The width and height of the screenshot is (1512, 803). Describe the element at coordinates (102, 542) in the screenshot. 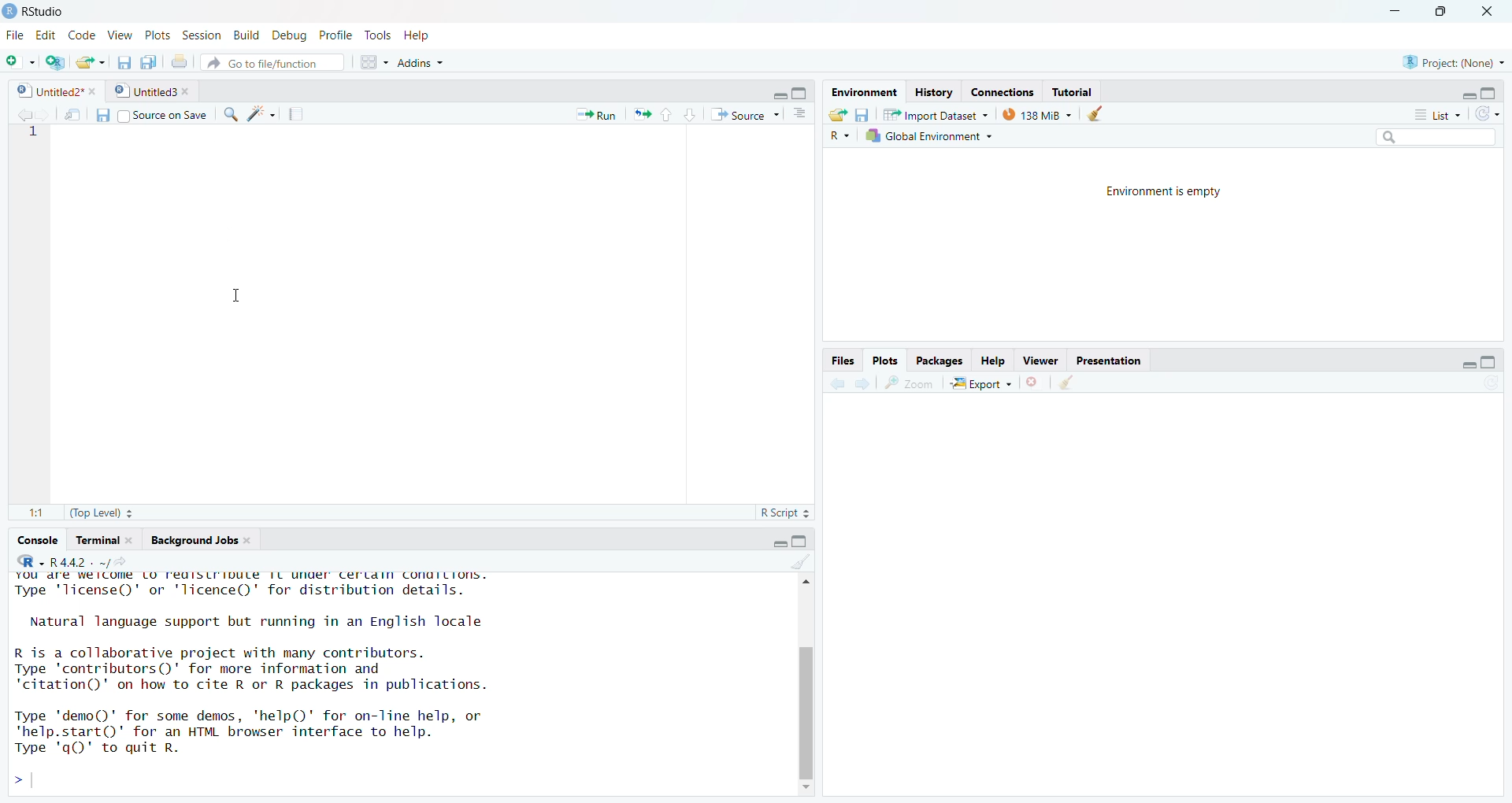

I see `Terminal` at that location.